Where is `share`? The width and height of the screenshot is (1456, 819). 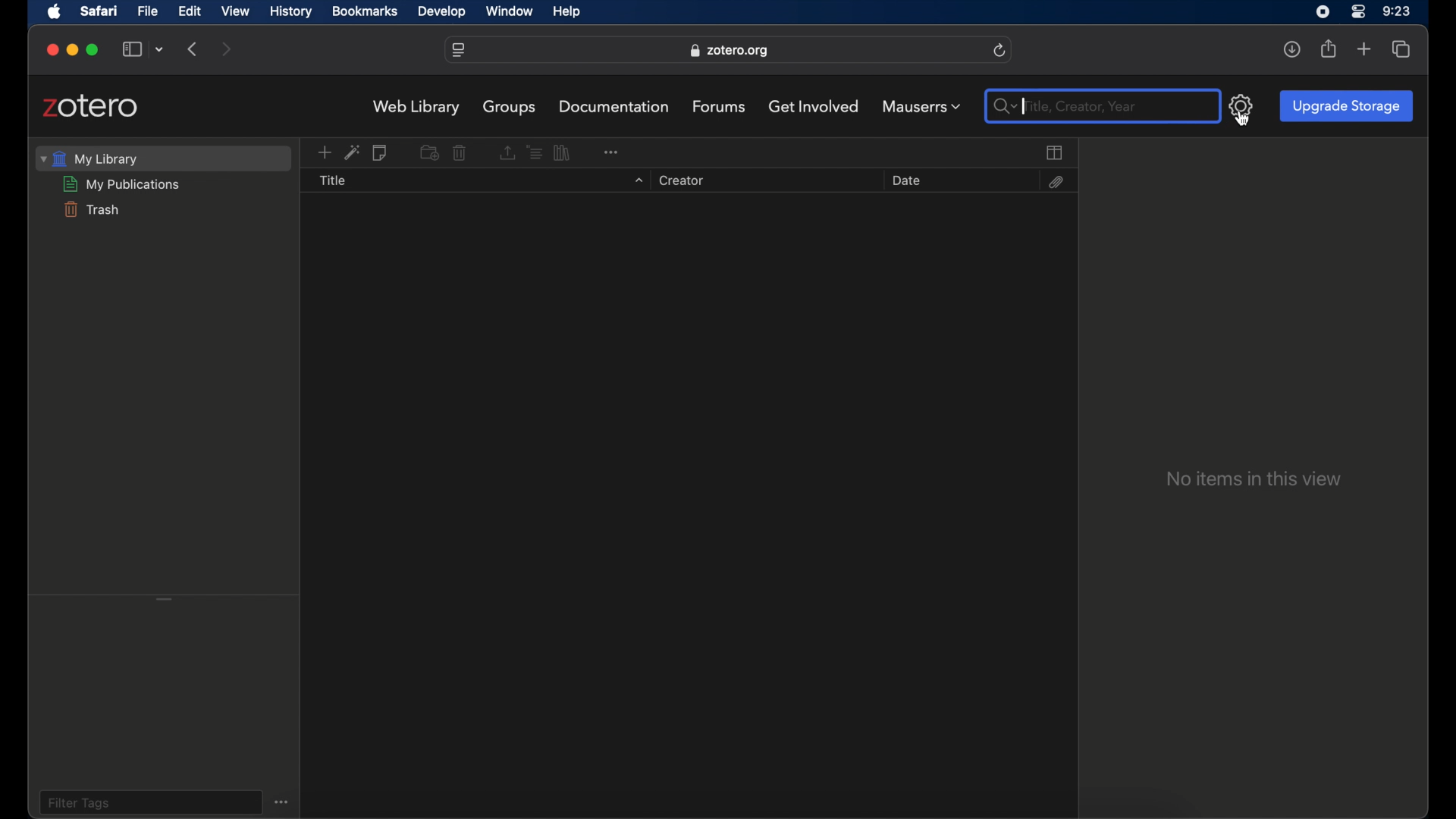 share is located at coordinates (1329, 49).